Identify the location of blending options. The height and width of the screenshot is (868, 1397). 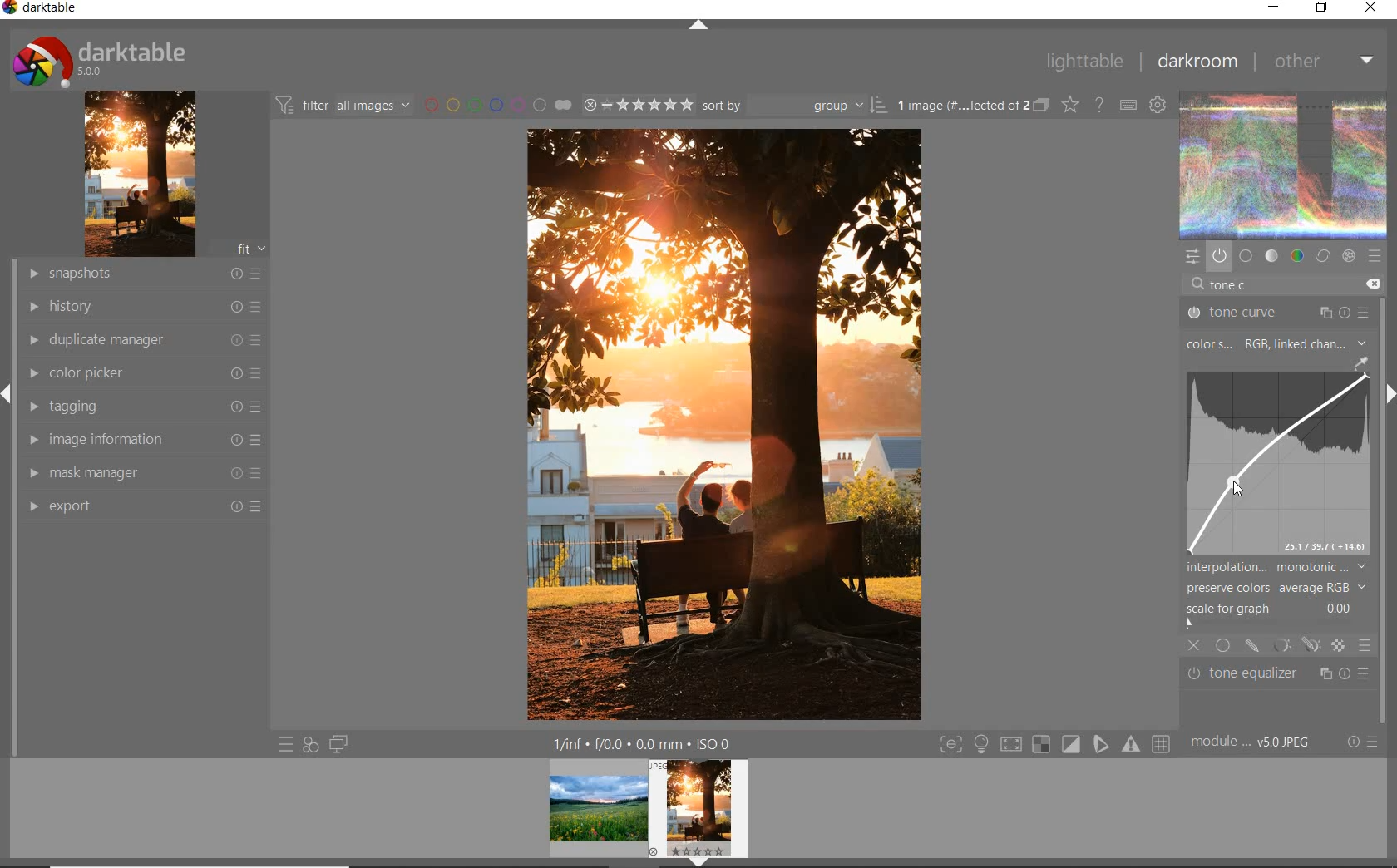
(1365, 644).